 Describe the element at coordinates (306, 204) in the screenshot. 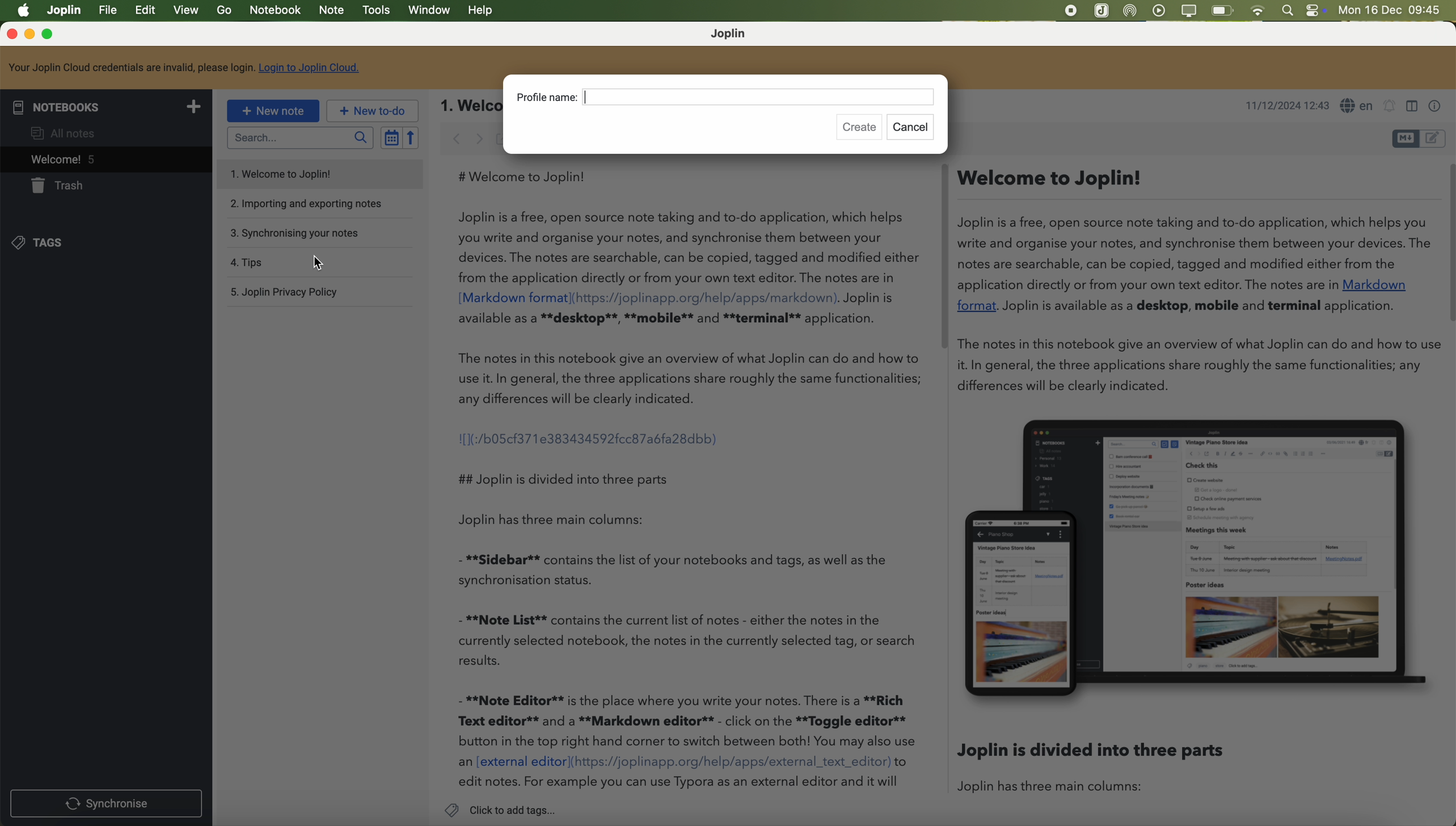

I see `2. Importing and exporting notes` at that location.